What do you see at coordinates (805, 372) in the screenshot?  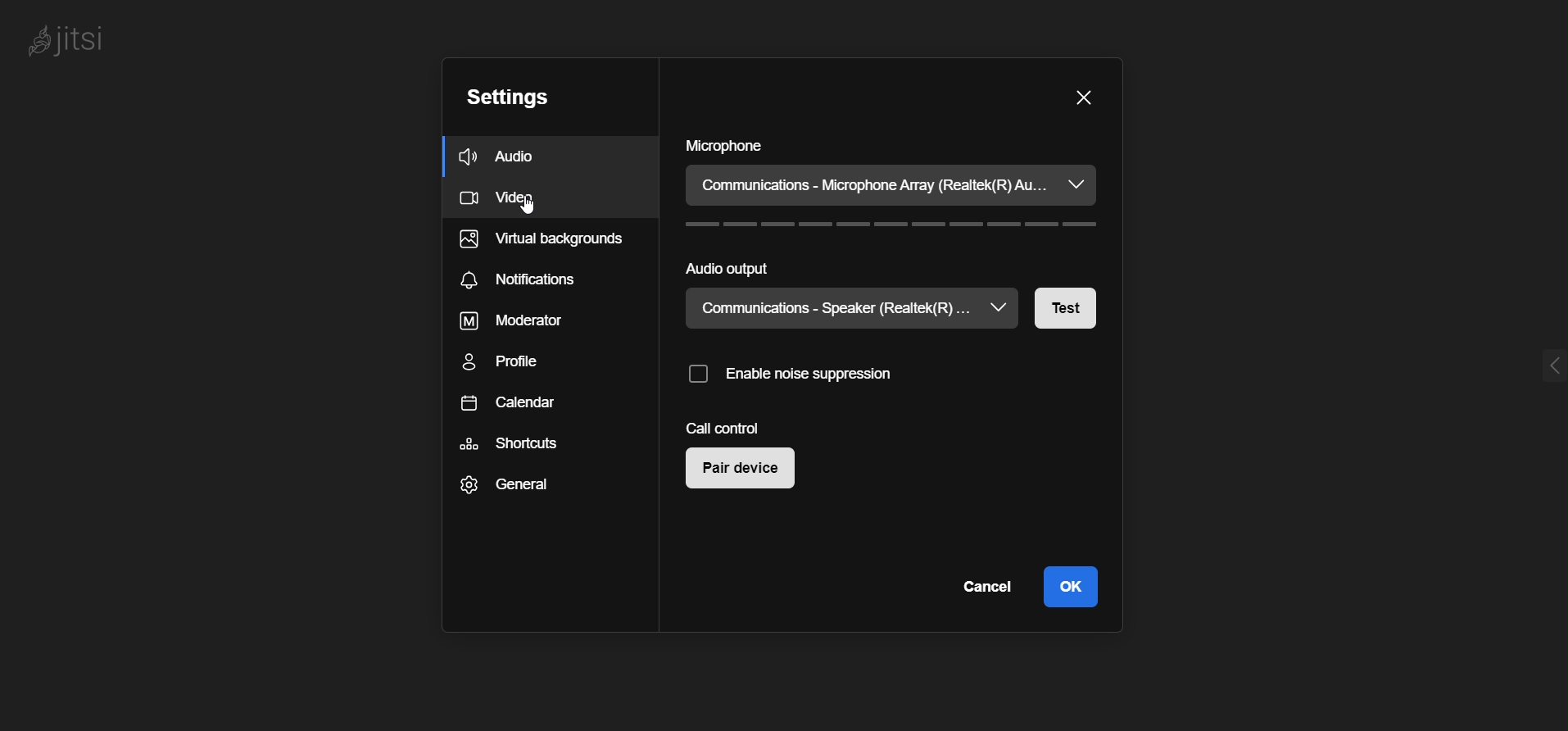 I see `enable noise suppression` at bounding box center [805, 372].